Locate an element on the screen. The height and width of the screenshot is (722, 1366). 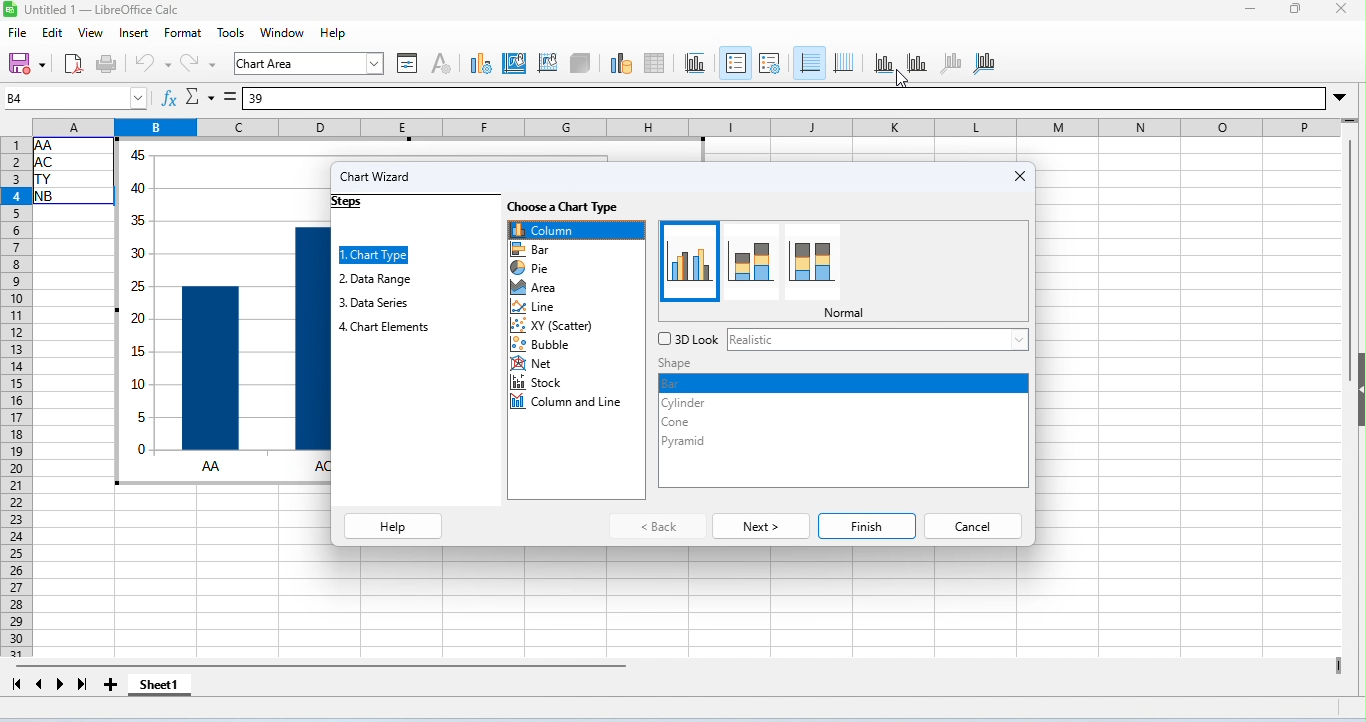
horizontal grids is located at coordinates (810, 62).